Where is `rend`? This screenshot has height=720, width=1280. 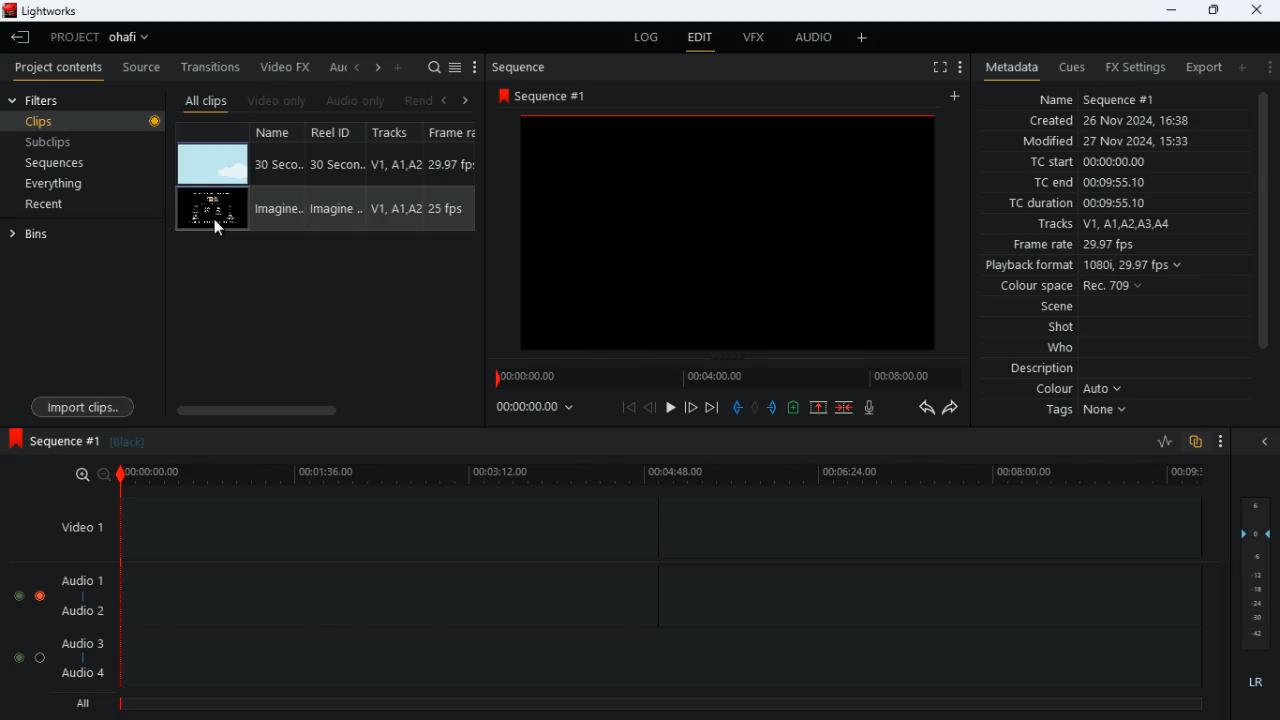
rend is located at coordinates (420, 100).